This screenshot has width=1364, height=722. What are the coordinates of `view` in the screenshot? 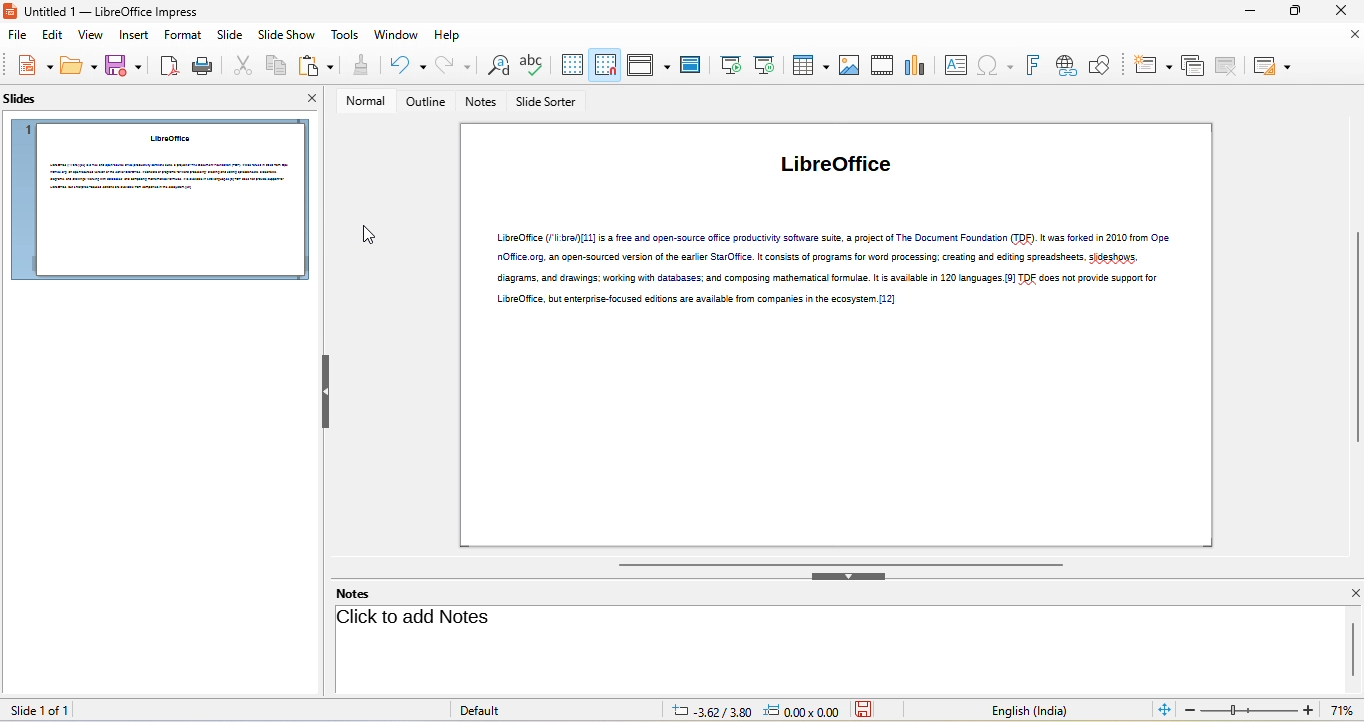 It's located at (87, 37).